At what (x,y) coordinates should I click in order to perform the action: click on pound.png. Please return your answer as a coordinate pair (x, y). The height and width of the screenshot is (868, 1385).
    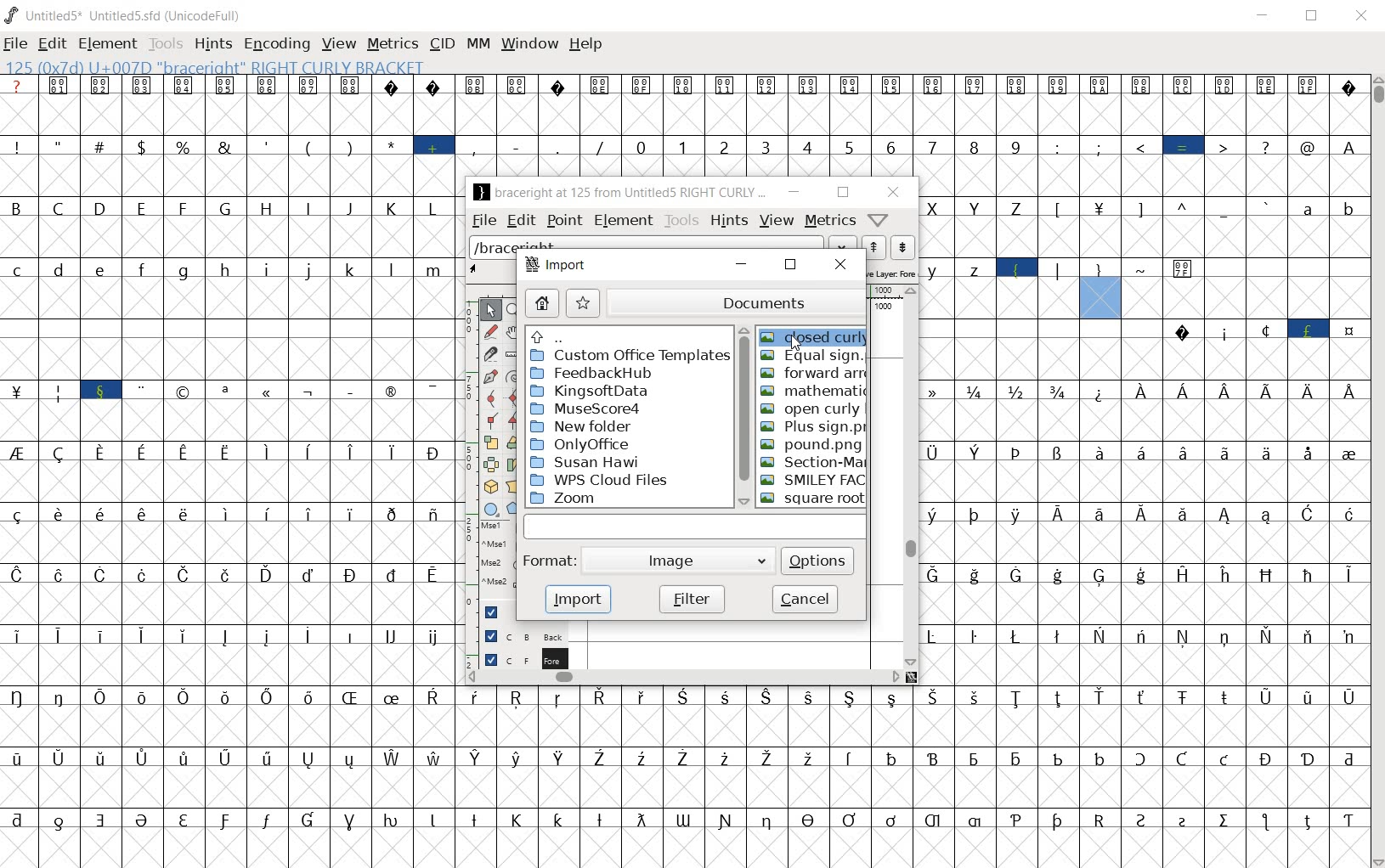
    Looking at the image, I should click on (811, 446).